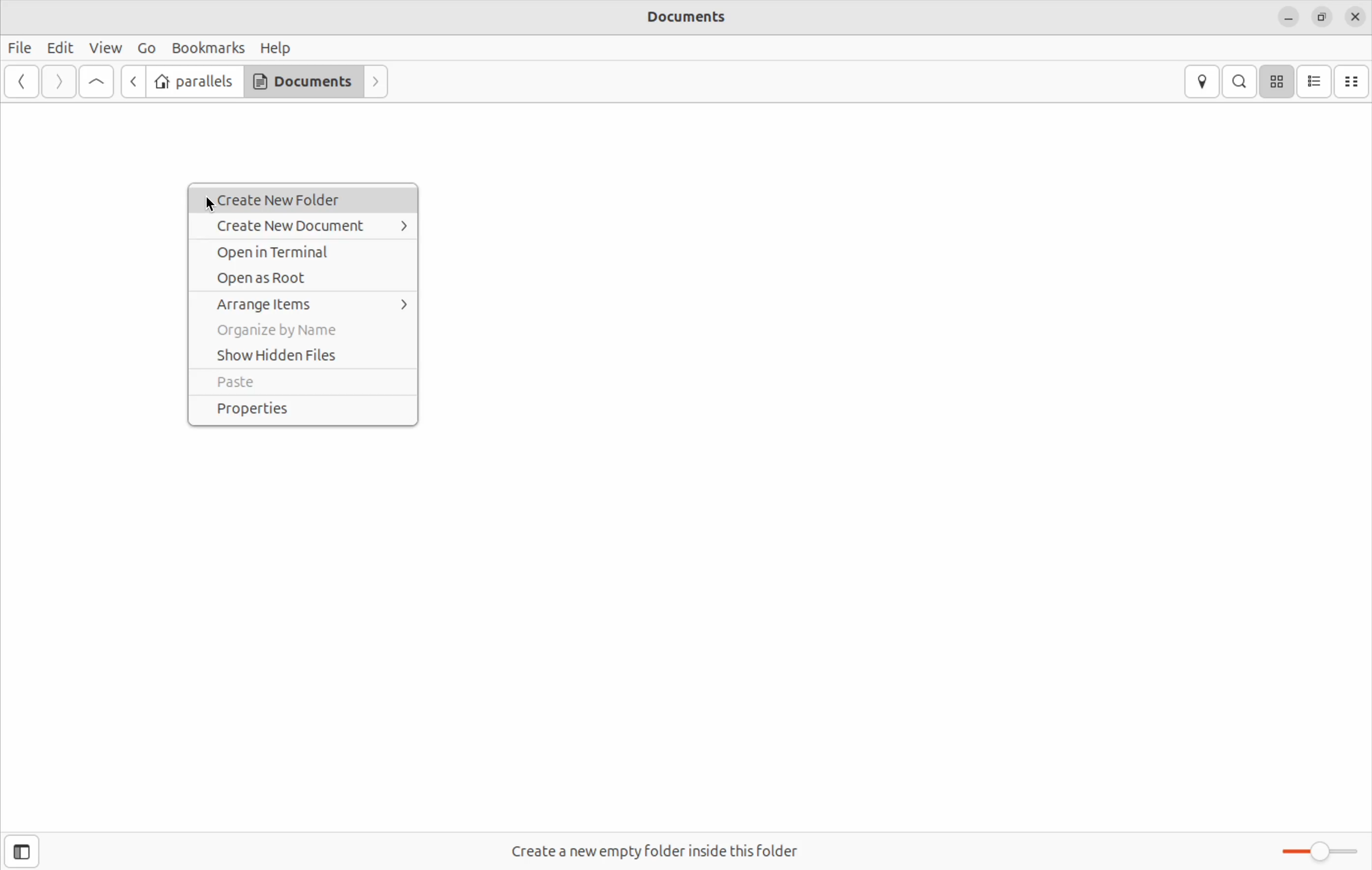 The width and height of the screenshot is (1372, 870). I want to click on icon view, so click(1279, 82).